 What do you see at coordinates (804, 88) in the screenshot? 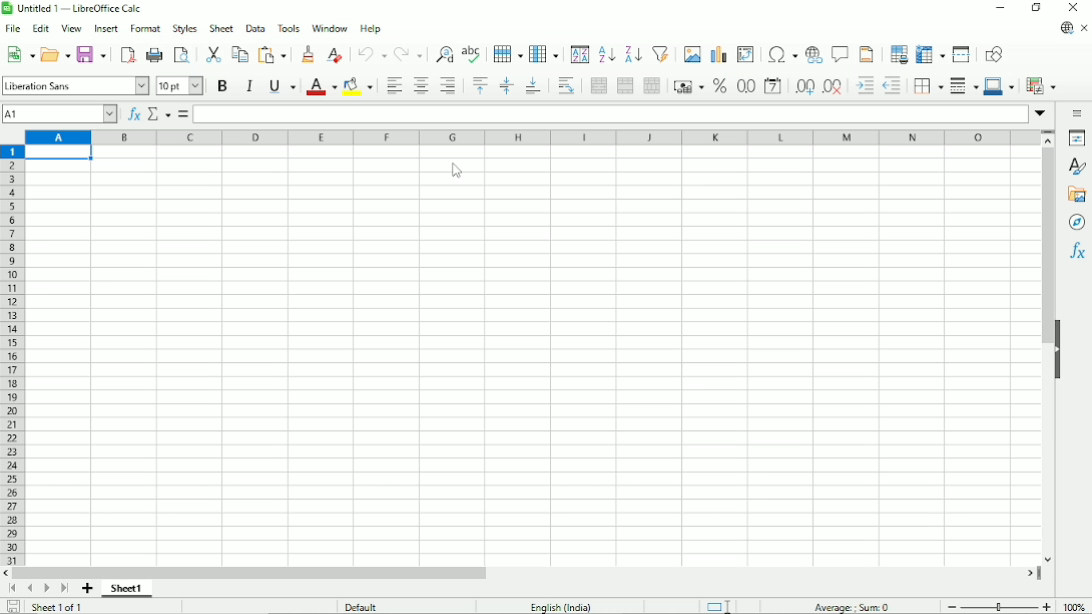
I see `Add decimal place` at bounding box center [804, 88].